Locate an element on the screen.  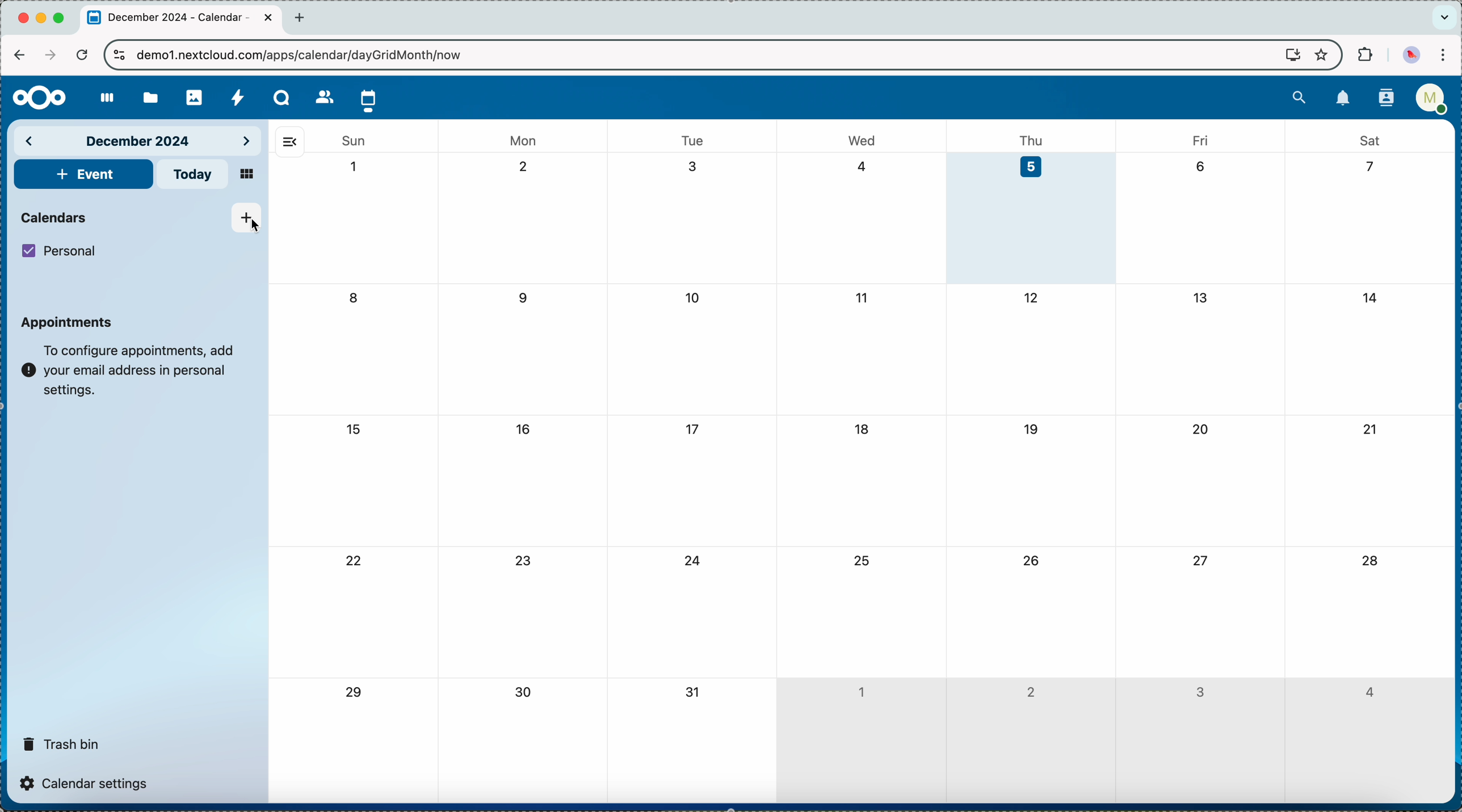
23 is located at coordinates (526, 560).